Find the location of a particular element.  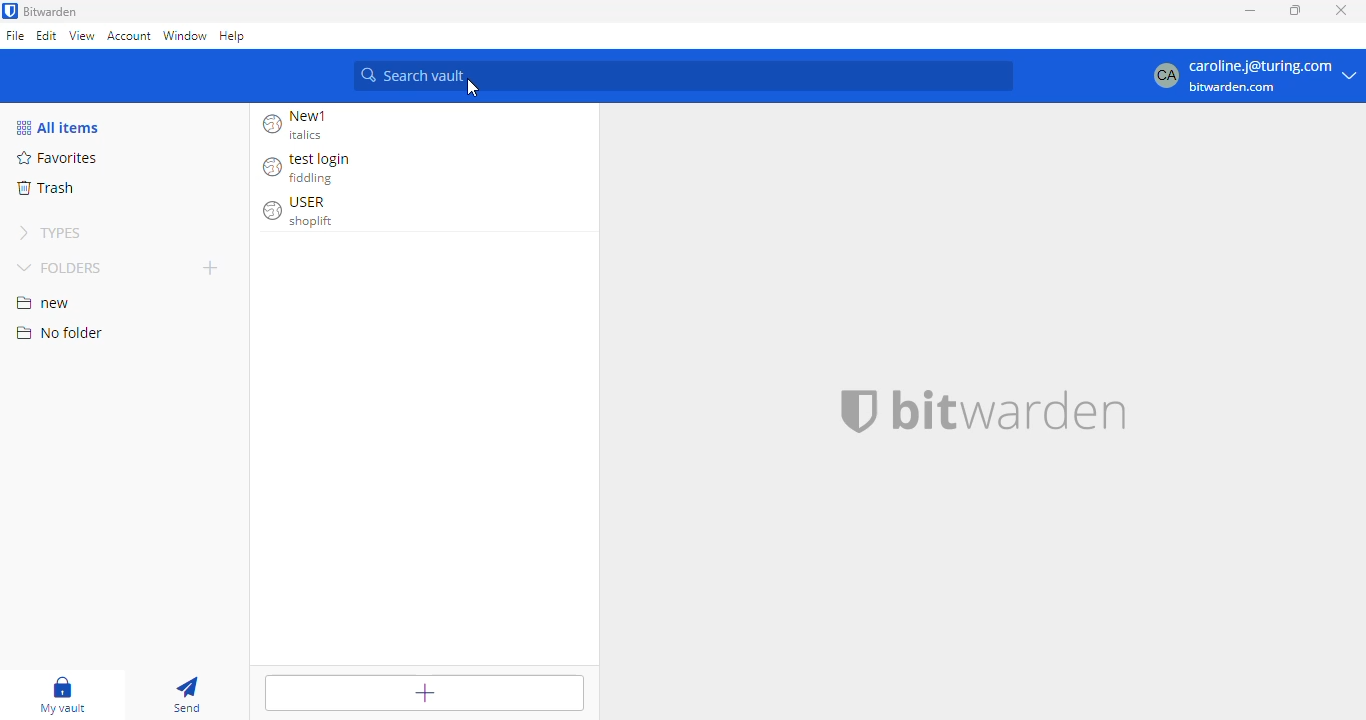

test login   fiddling is located at coordinates (313, 168).